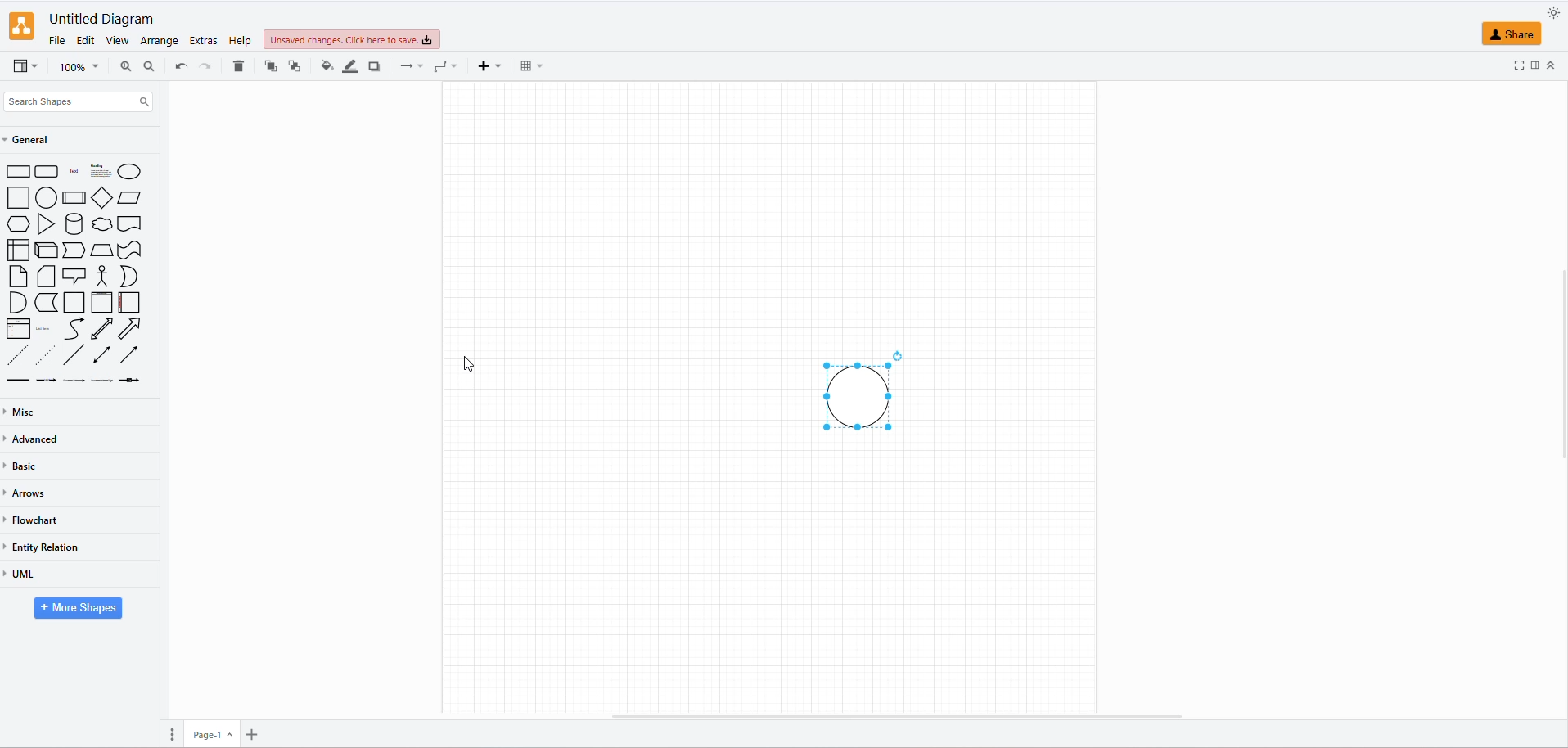 This screenshot has width=1568, height=748. What do you see at coordinates (101, 354) in the screenshot?
I see `BIDIRECTIONAL CONNECTOR` at bounding box center [101, 354].